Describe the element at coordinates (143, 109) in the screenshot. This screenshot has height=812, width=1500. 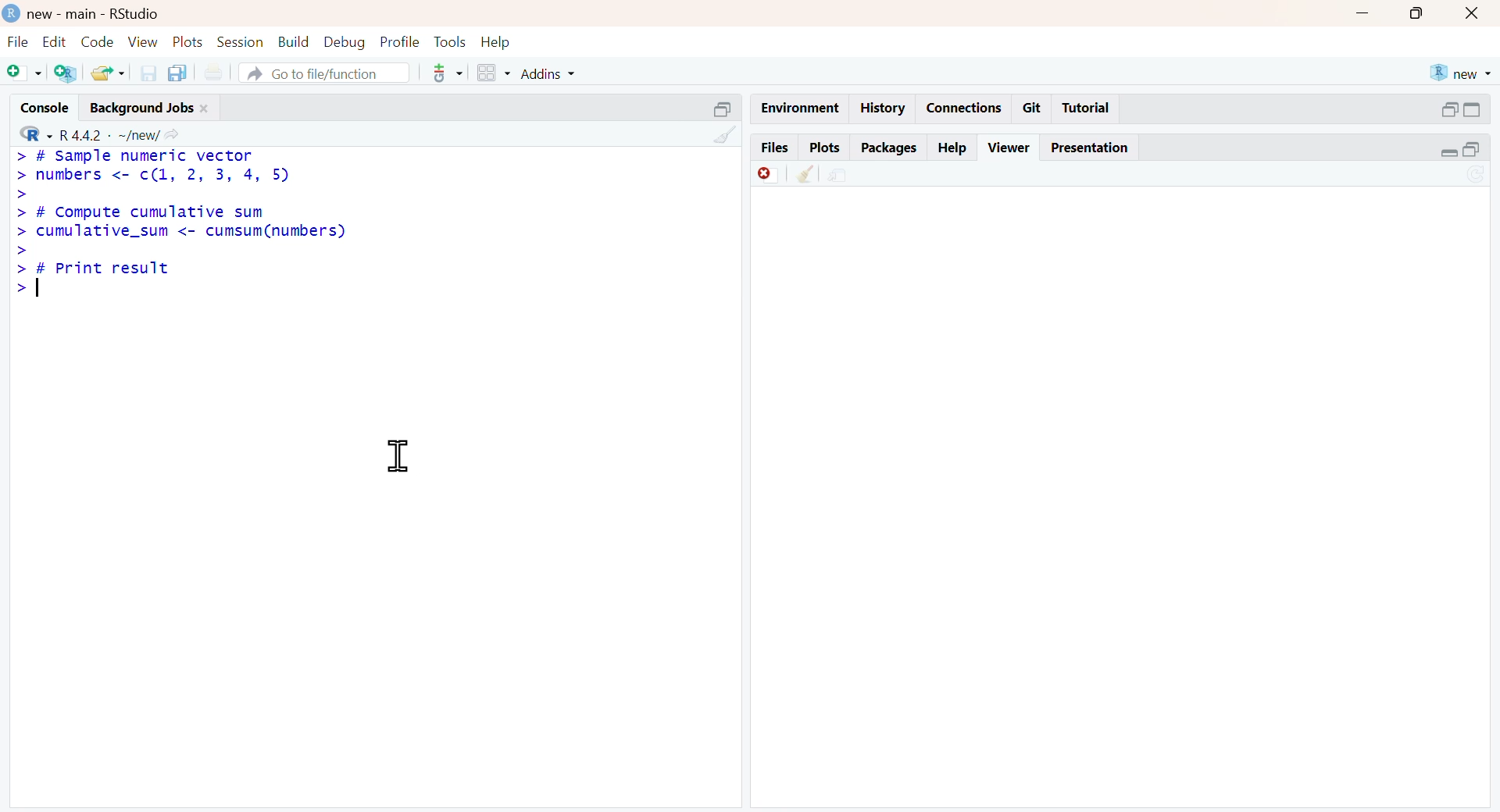
I see `Background jobs` at that location.